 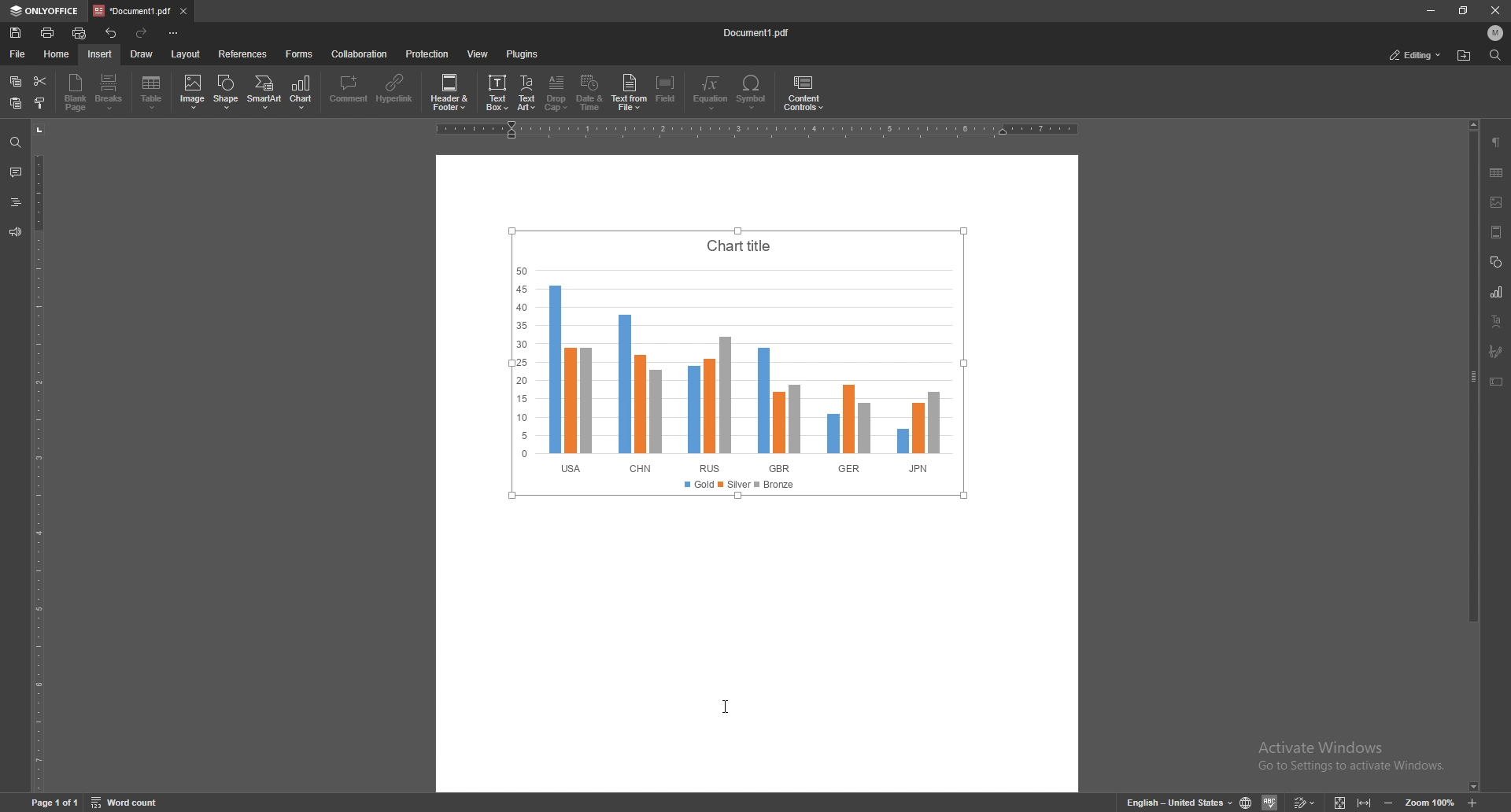 I want to click on resize, so click(x=1465, y=9).